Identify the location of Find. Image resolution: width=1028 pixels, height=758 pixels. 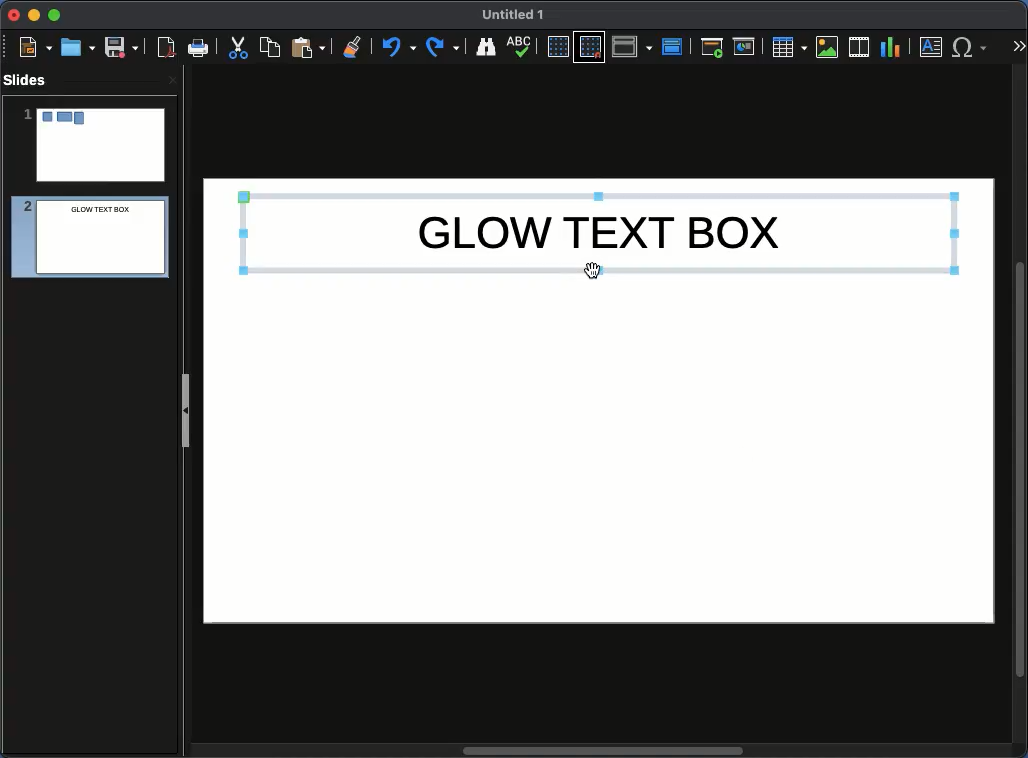
(485, 46).